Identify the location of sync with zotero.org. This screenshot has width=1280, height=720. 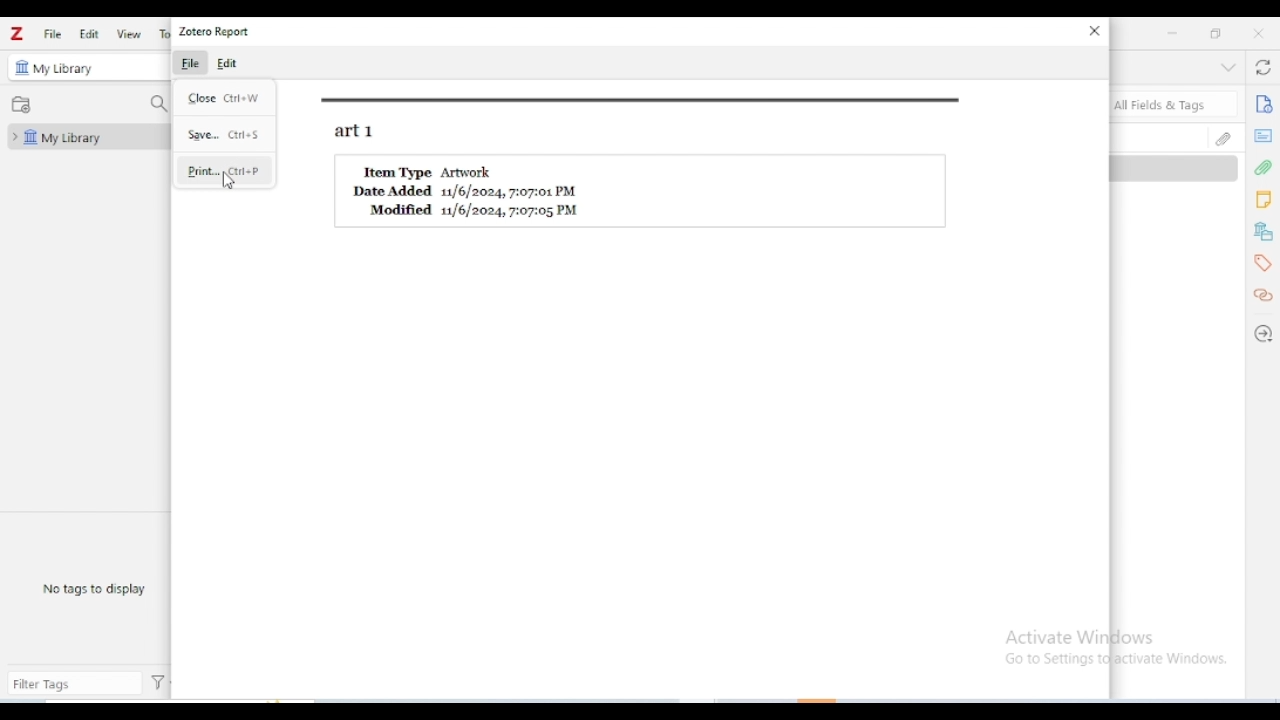
(1262, 66).